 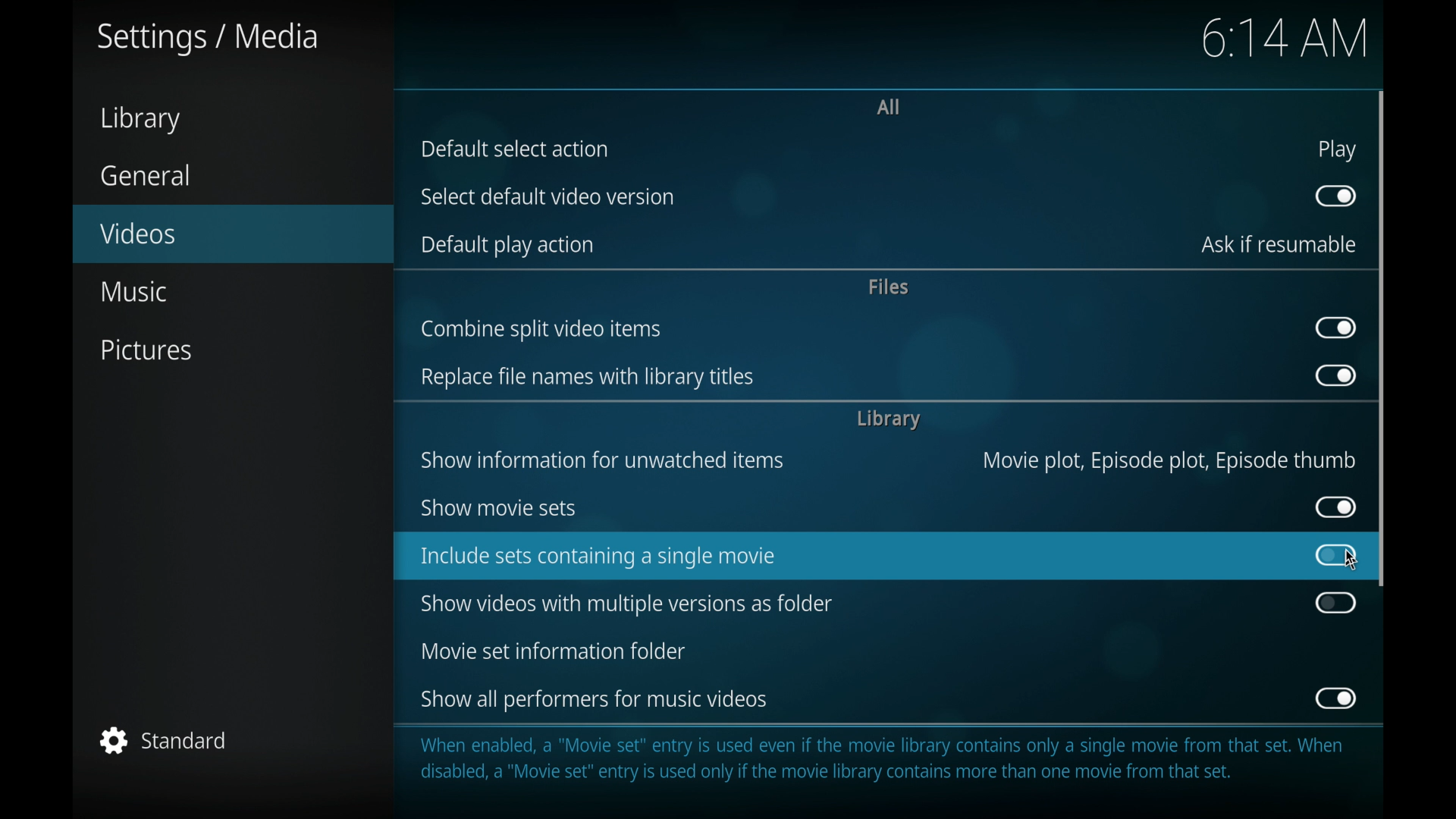 What do you see at coordinates (1335, 376) in the screenshot?
I see `toggle button` at bounding box center [1335, 376].